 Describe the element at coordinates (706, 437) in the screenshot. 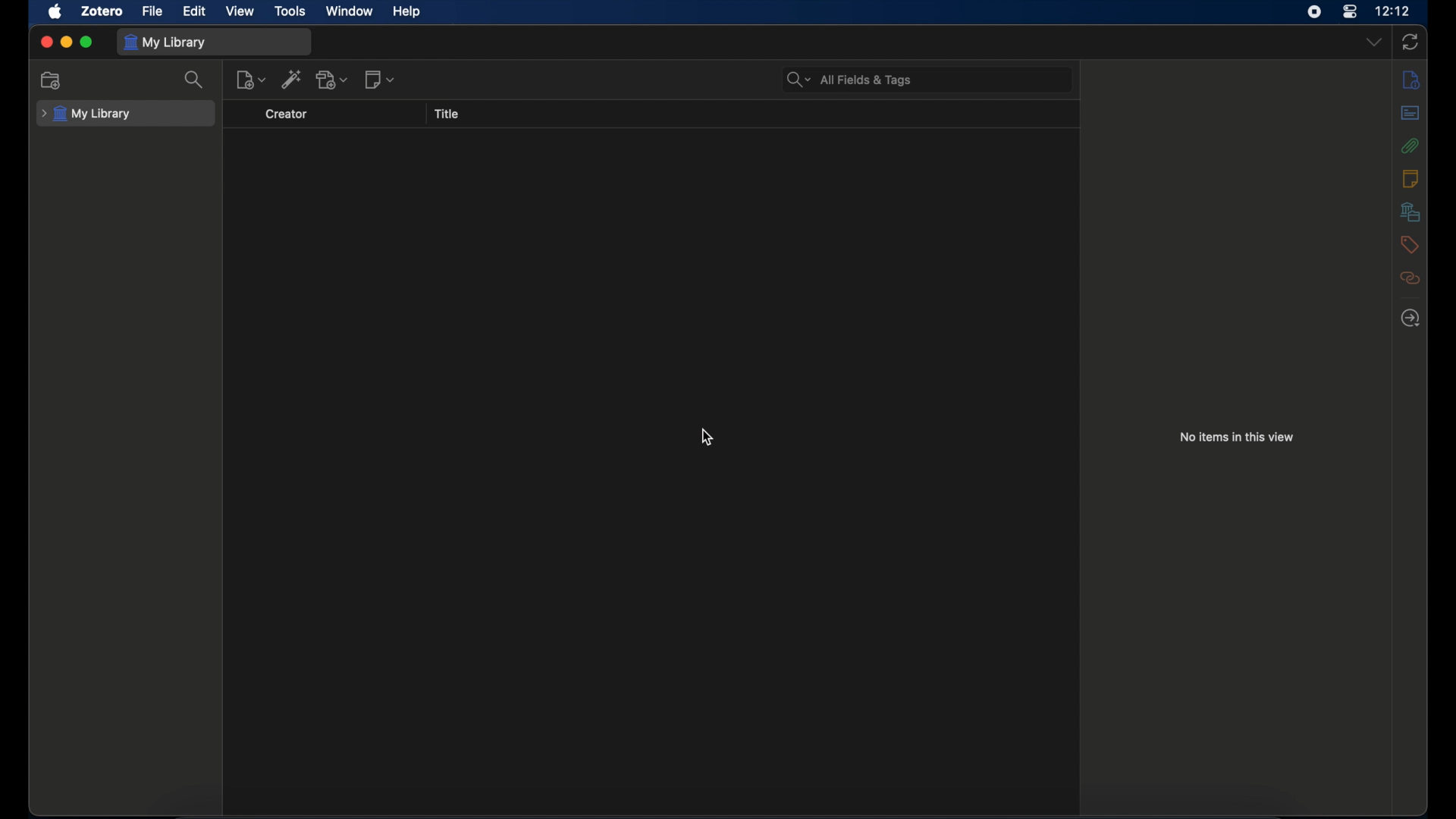

I see `cursor` at that location.